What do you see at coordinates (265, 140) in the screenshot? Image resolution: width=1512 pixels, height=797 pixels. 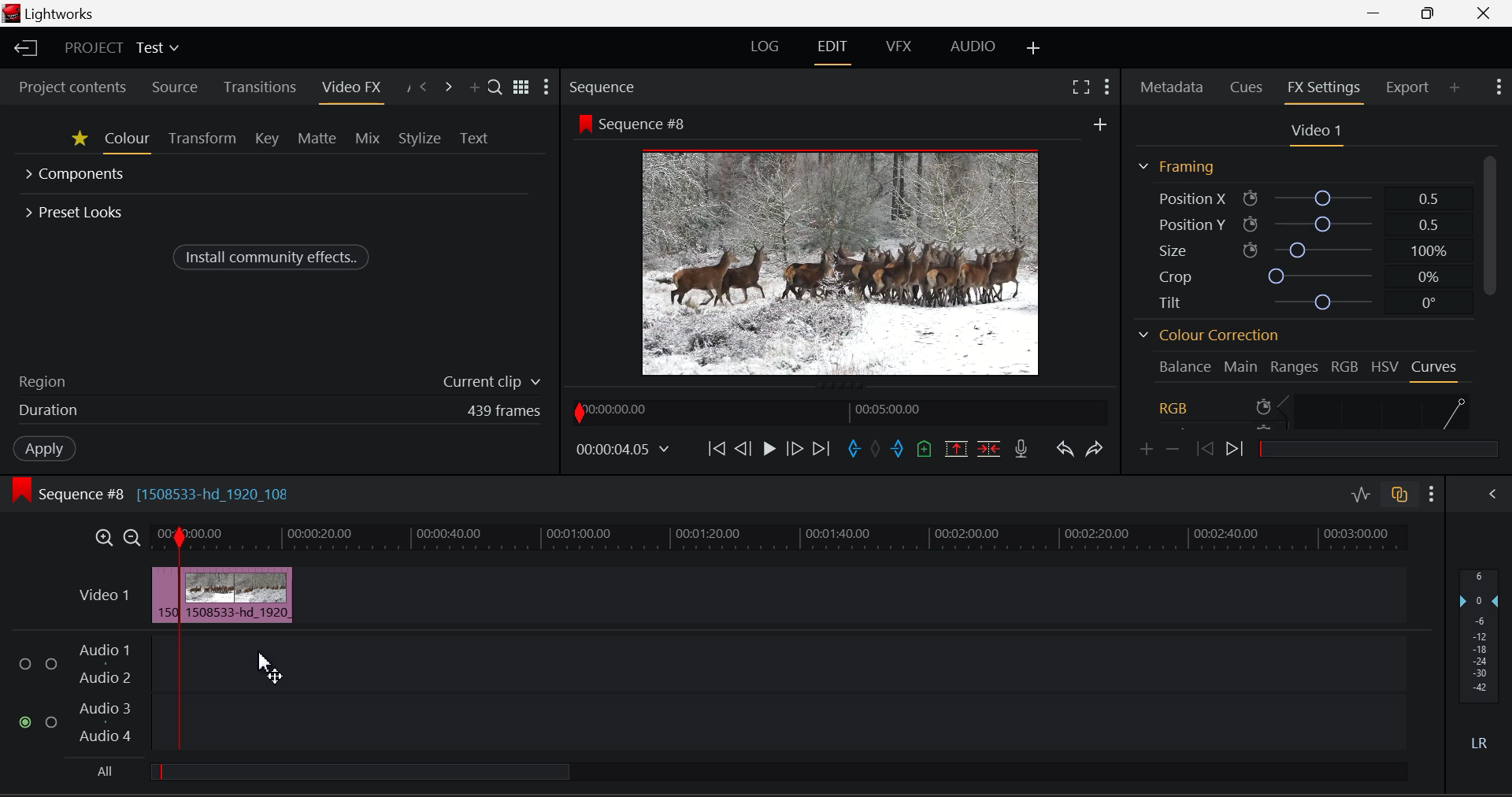 I see `Key` at bounding box center [265, 140].